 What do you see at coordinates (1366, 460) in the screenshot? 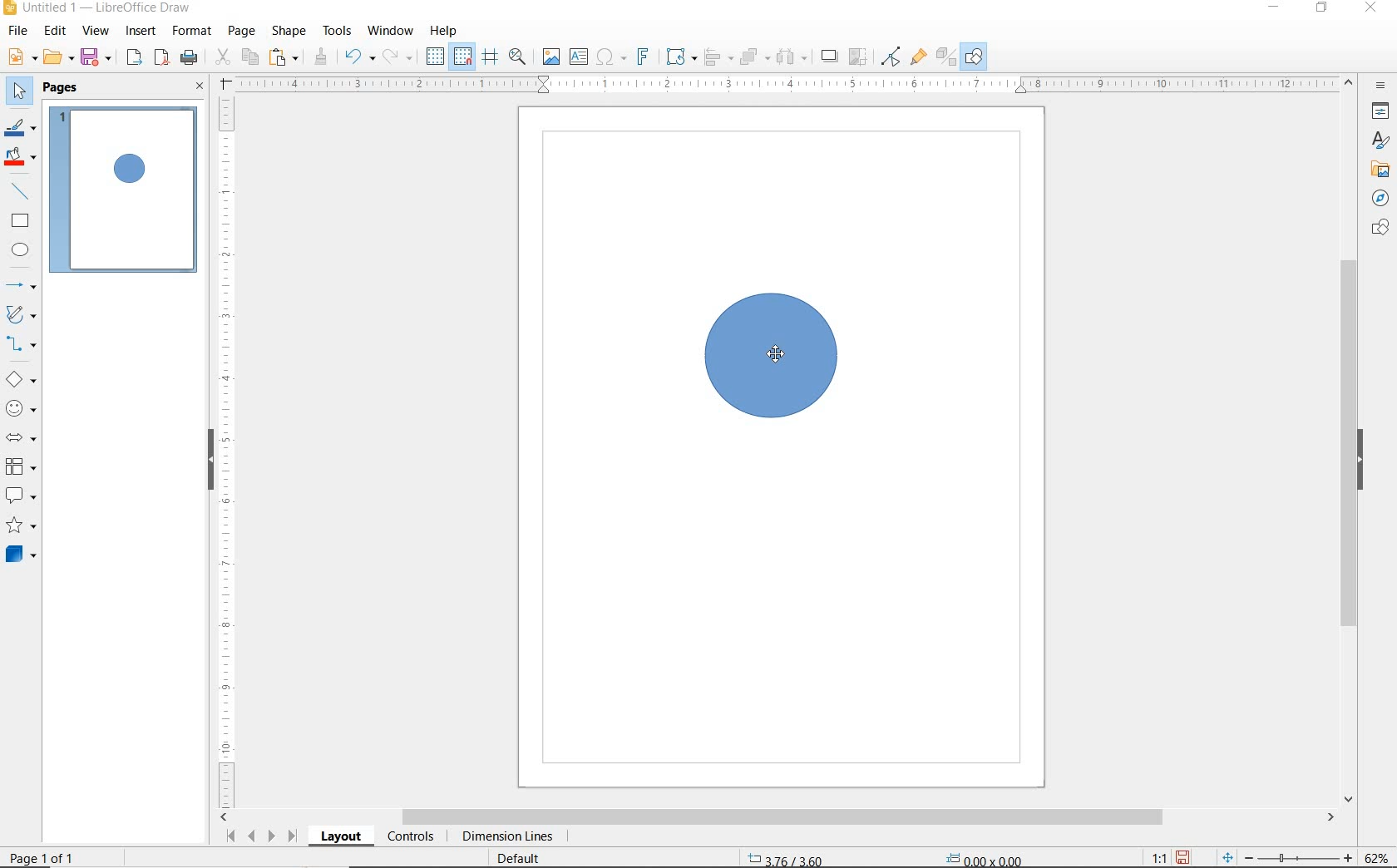
I see `HIDE` at bounding box center [1366, 460].